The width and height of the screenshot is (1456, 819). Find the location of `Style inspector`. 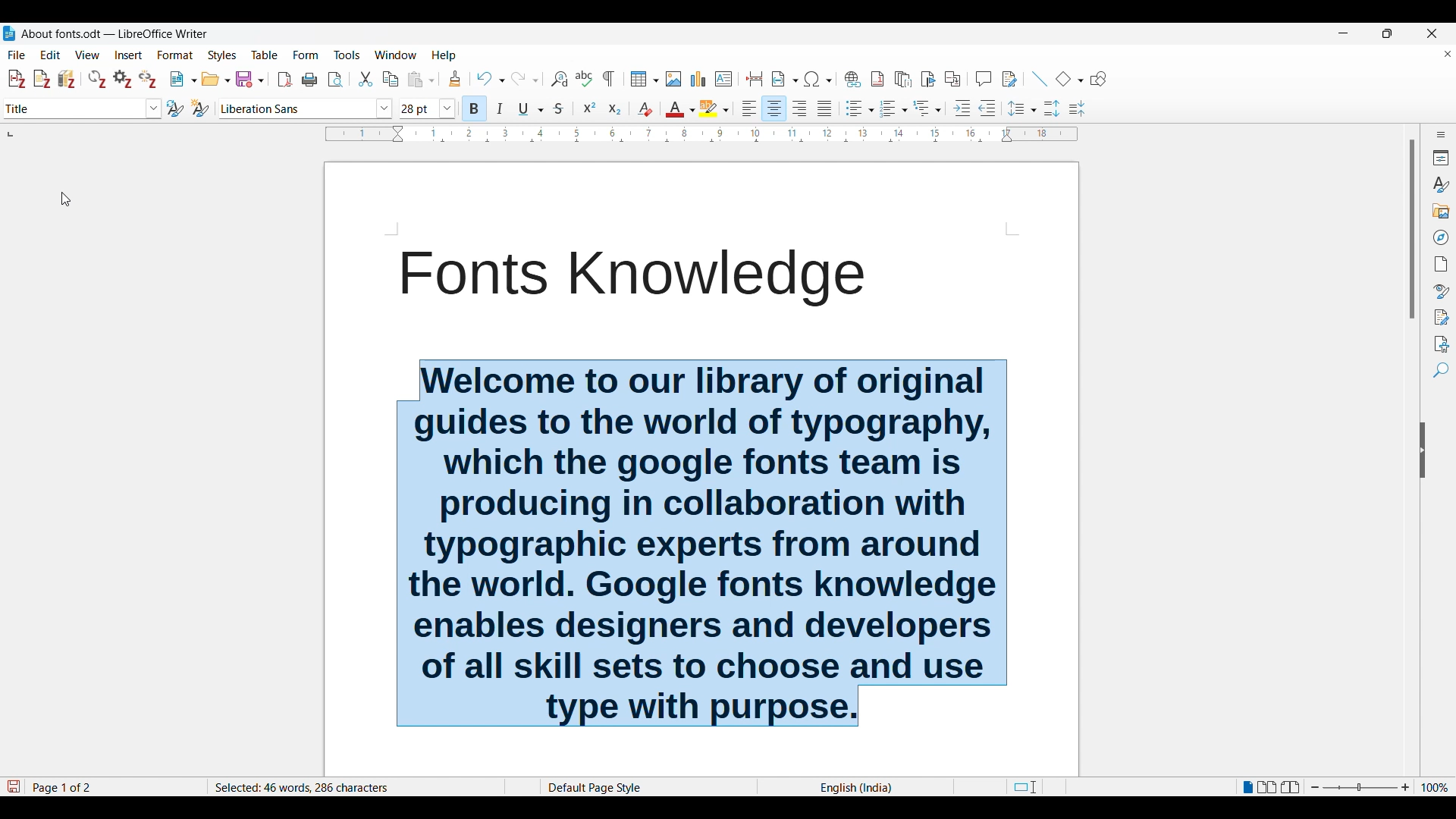

Style inspector is located at coordinates (1442, 291).